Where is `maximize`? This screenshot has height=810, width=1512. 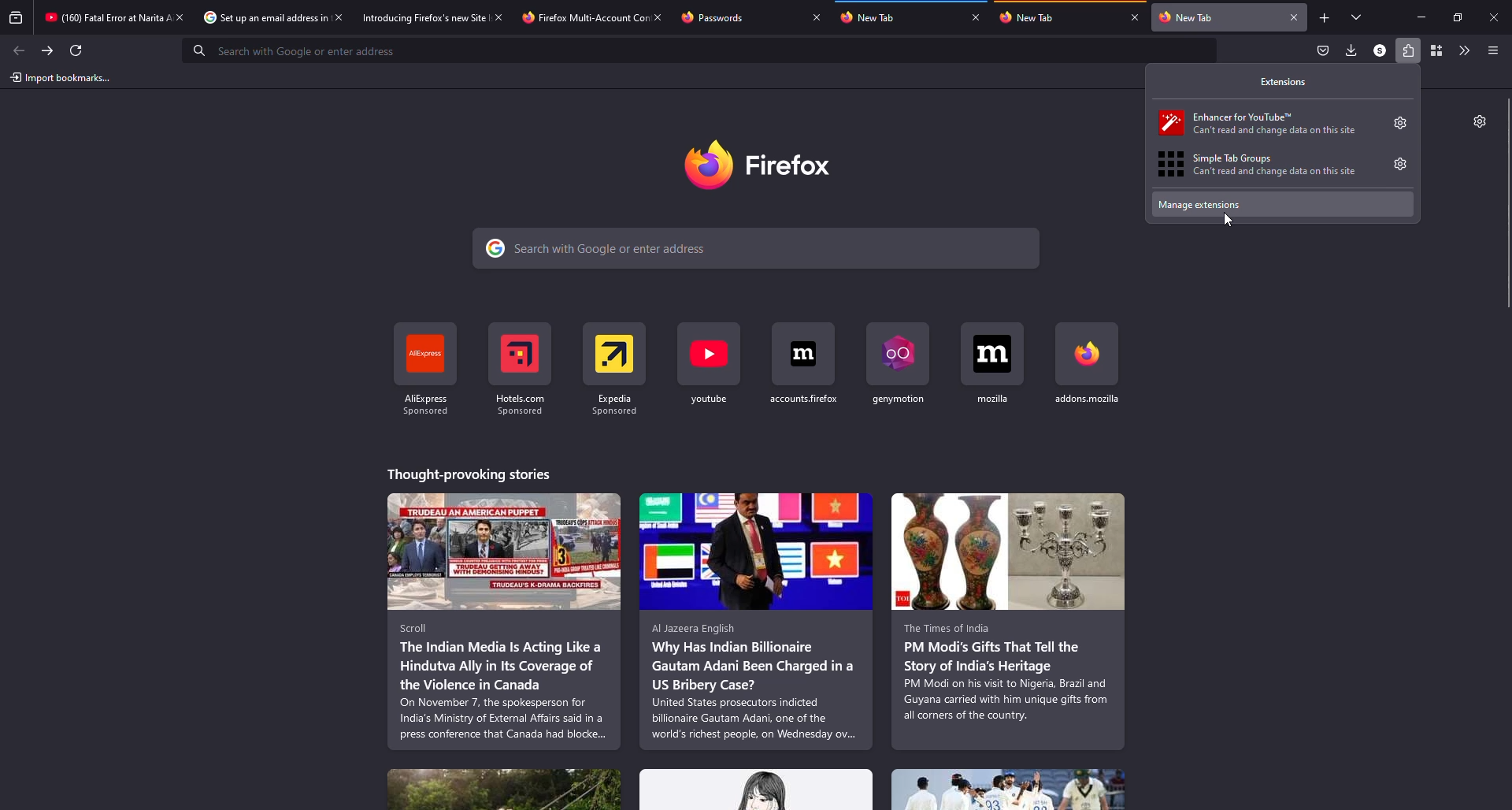
maximize is located at coordinates (1458, 18).